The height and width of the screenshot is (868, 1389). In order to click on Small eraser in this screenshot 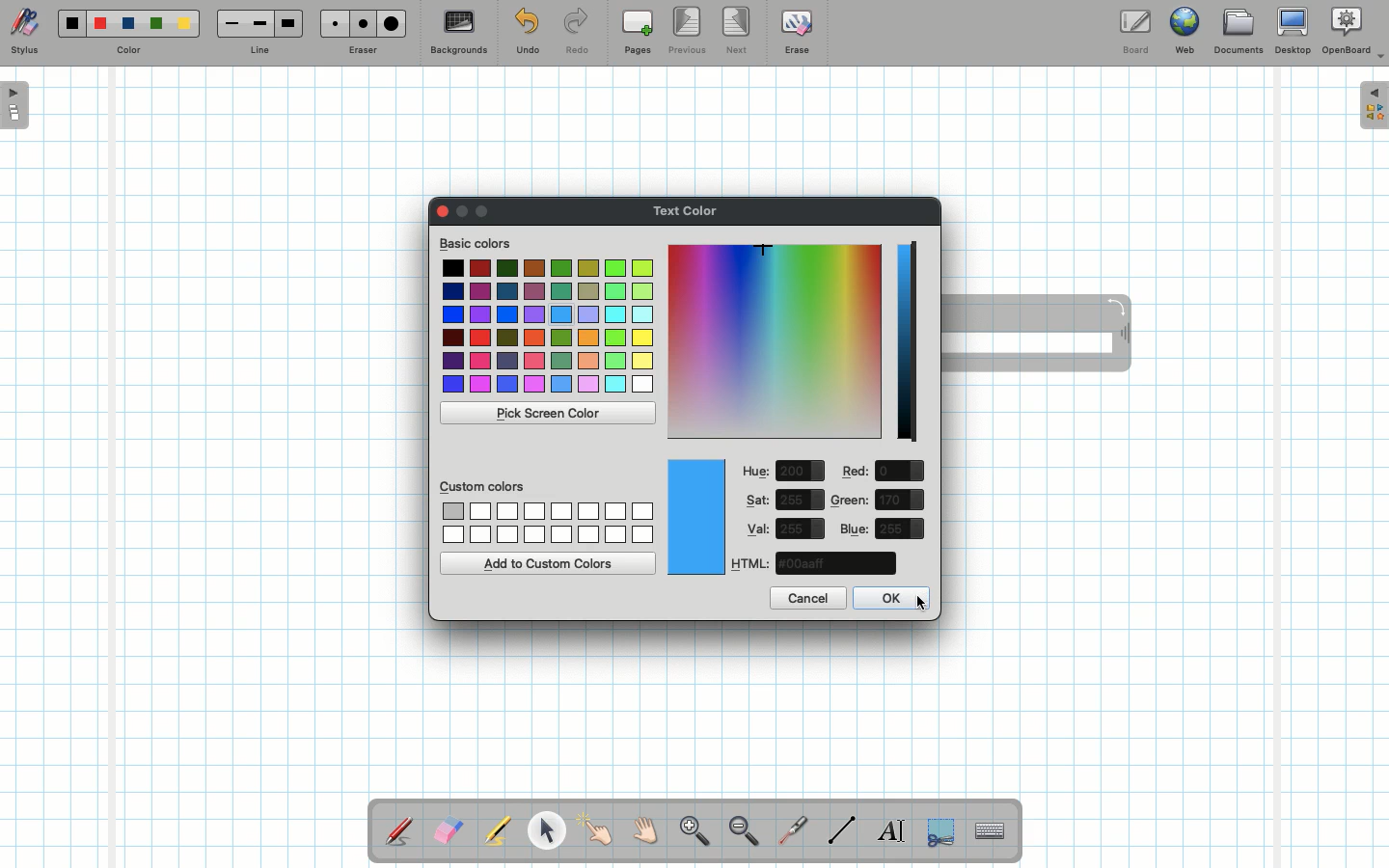, I will do `click(330, 23)`.